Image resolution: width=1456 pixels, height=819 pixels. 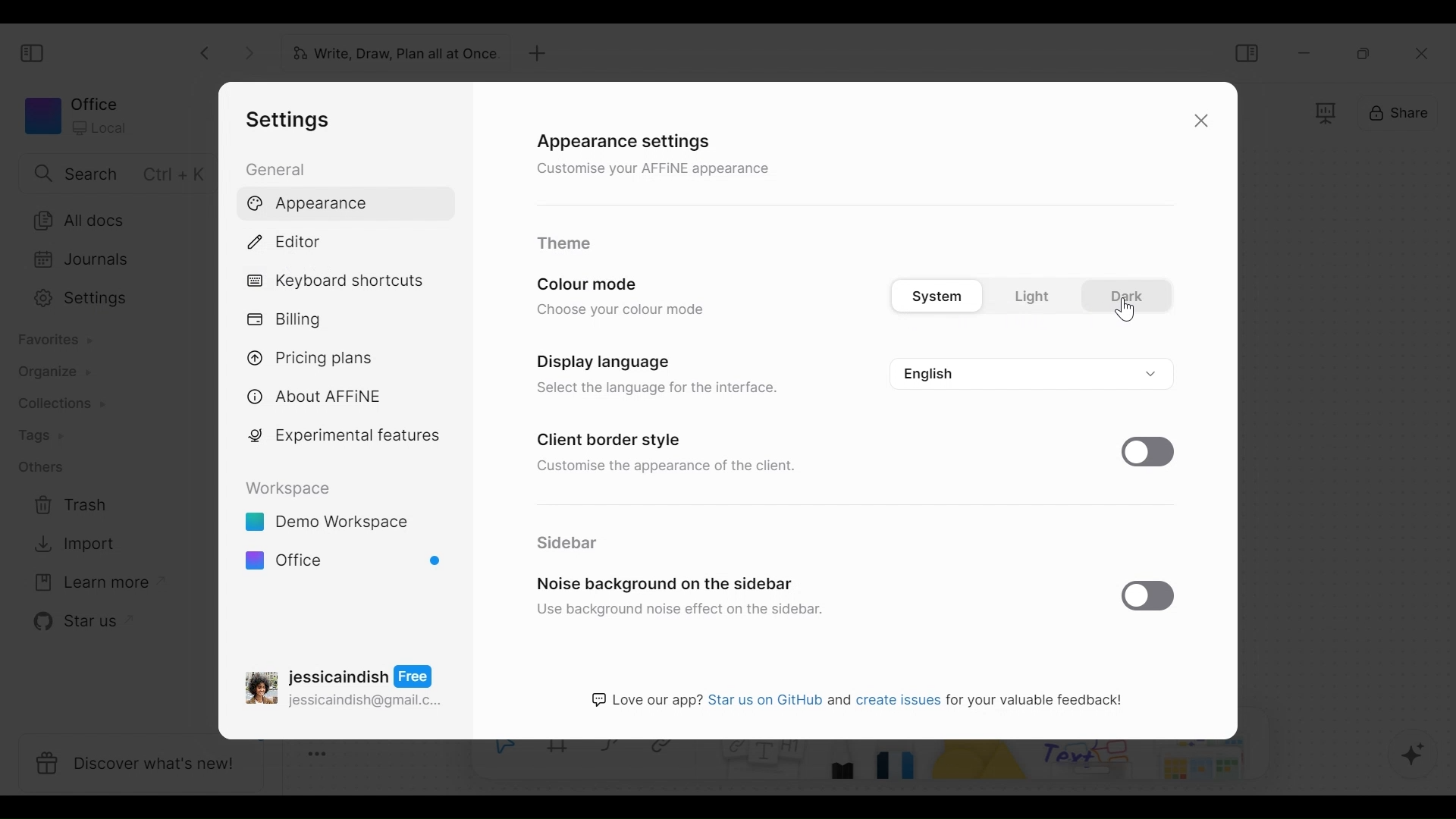 What do you see at coordinates (1148, 595) in the screenshot?
I see `Enable/Disable` at bounding box center [1148, 595].